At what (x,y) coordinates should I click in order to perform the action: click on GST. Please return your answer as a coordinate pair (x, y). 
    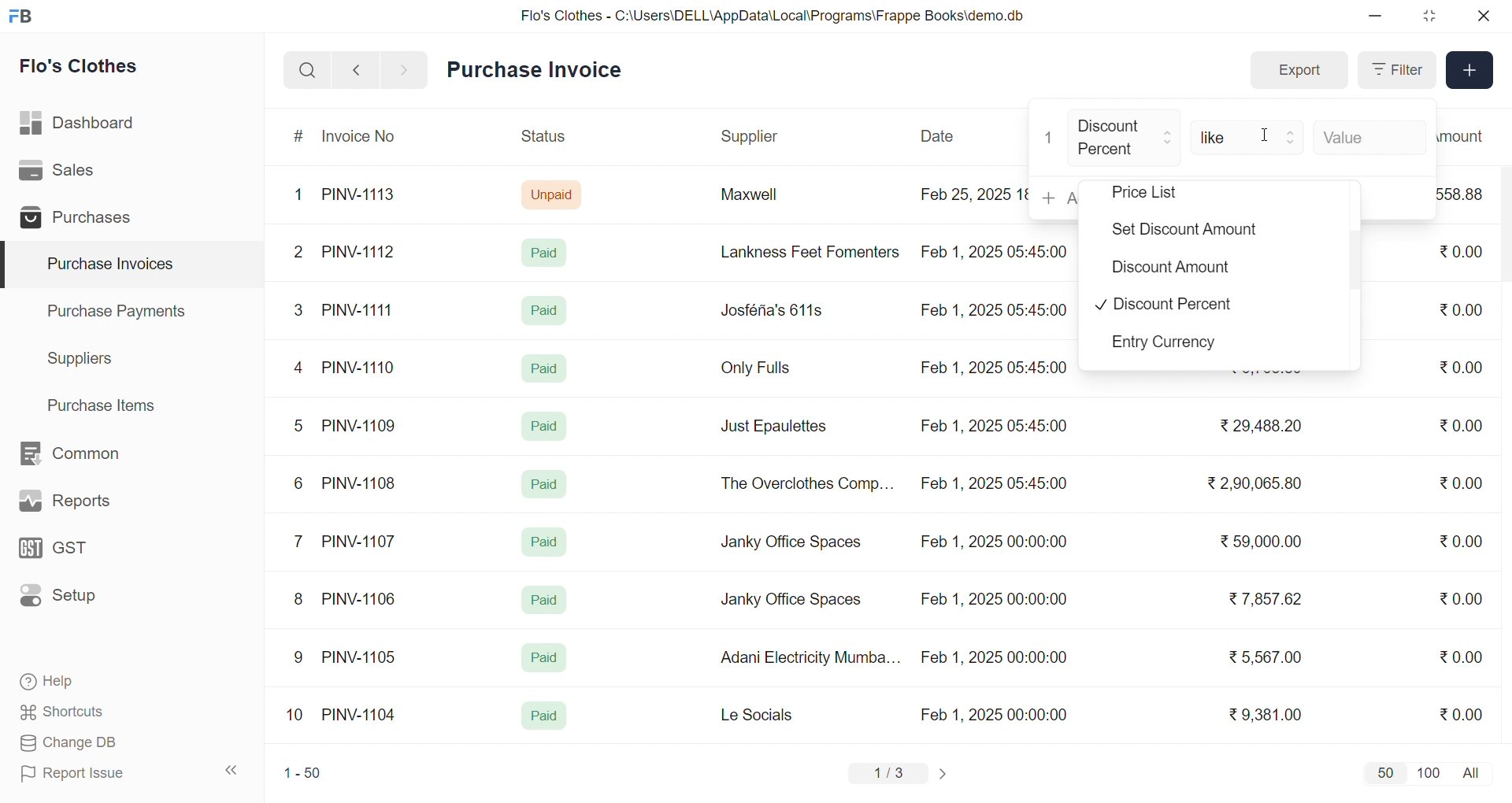
    Looking at the image, I should click on (82, 553).